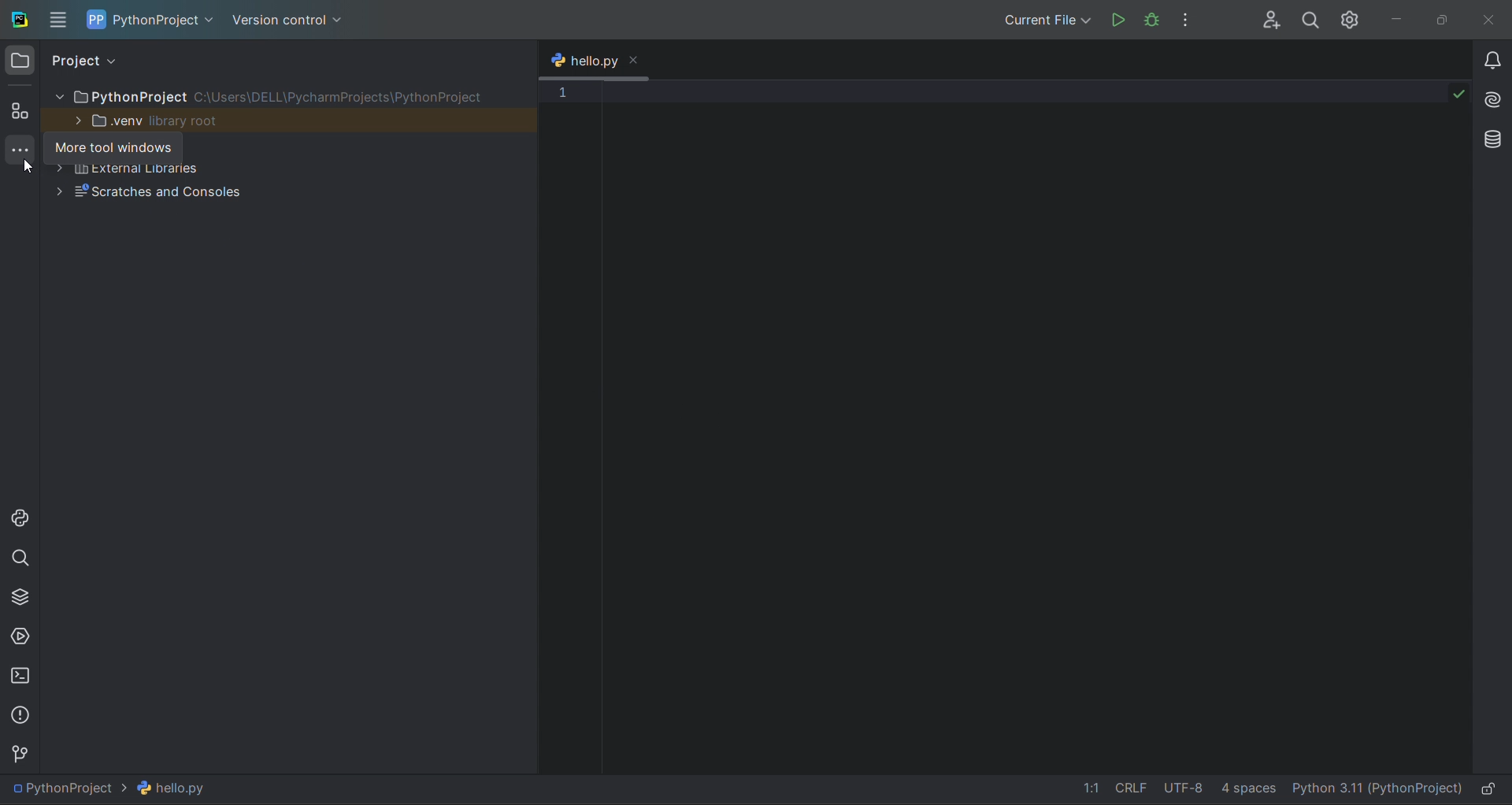  What do you see at coordinates (120, 97) in the screenshot?
I see `PythonProject` at bounding box center [120, 97].